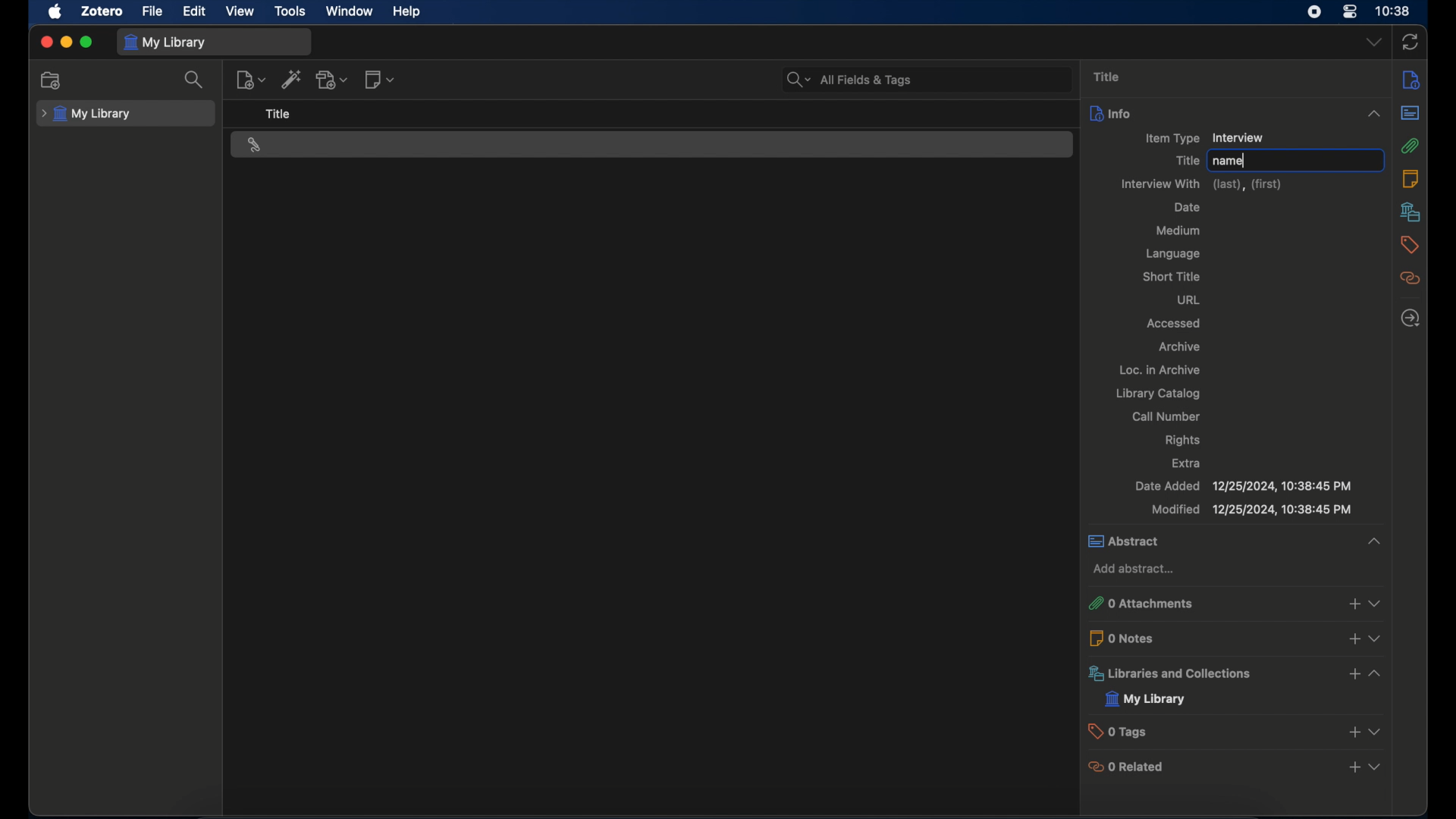  What do you see at coordinates (1174, 324) in the screenshot?
I see `accessed` at bounding box center [1174, 324].